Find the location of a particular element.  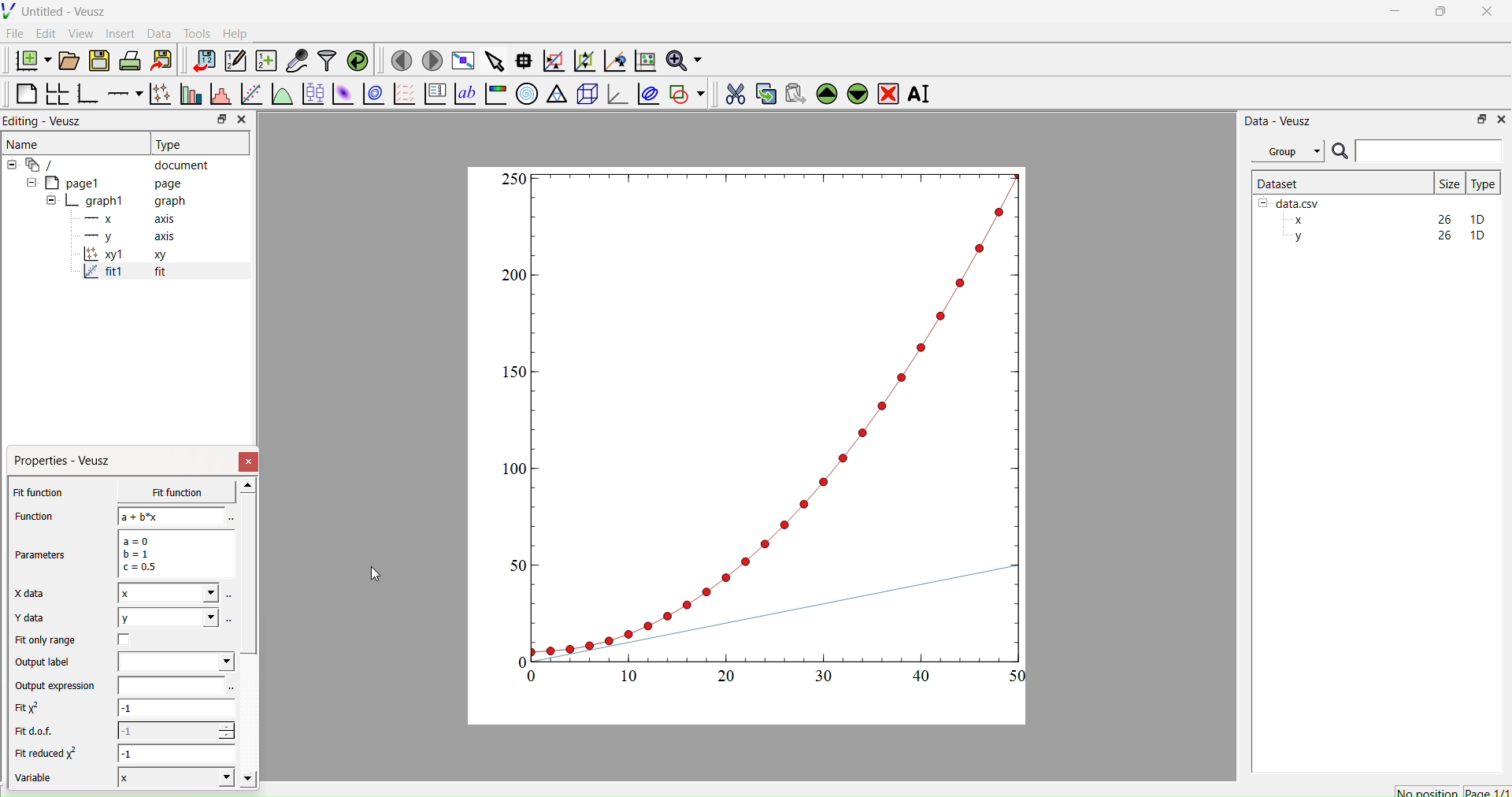

Image color bar is located at coordinates (494, 94).